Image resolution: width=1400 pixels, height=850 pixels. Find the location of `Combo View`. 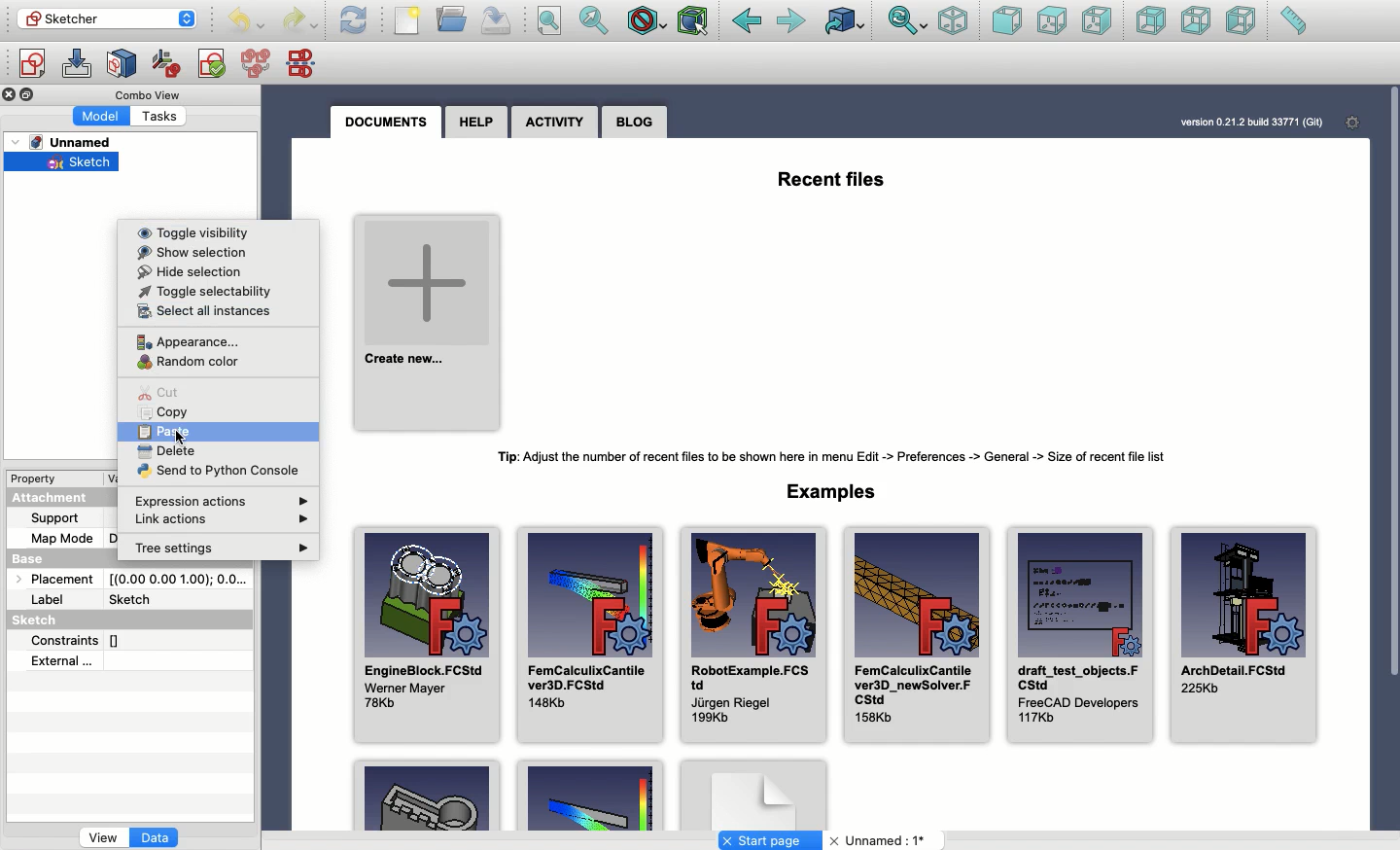

Combo View is located at coordinates (149, 94).